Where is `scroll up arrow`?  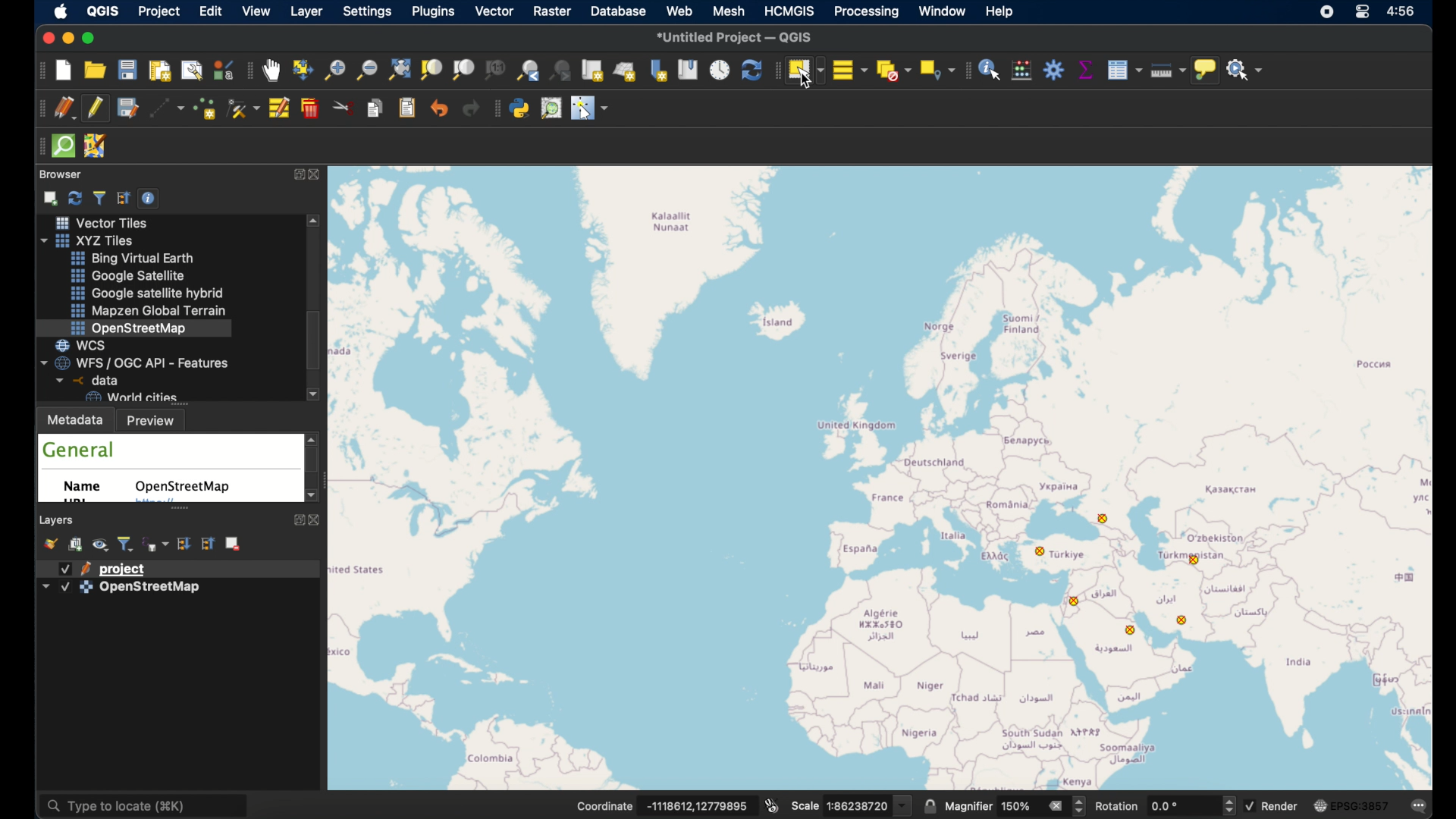 scroll up arrow is located at coordinates (313, 437).